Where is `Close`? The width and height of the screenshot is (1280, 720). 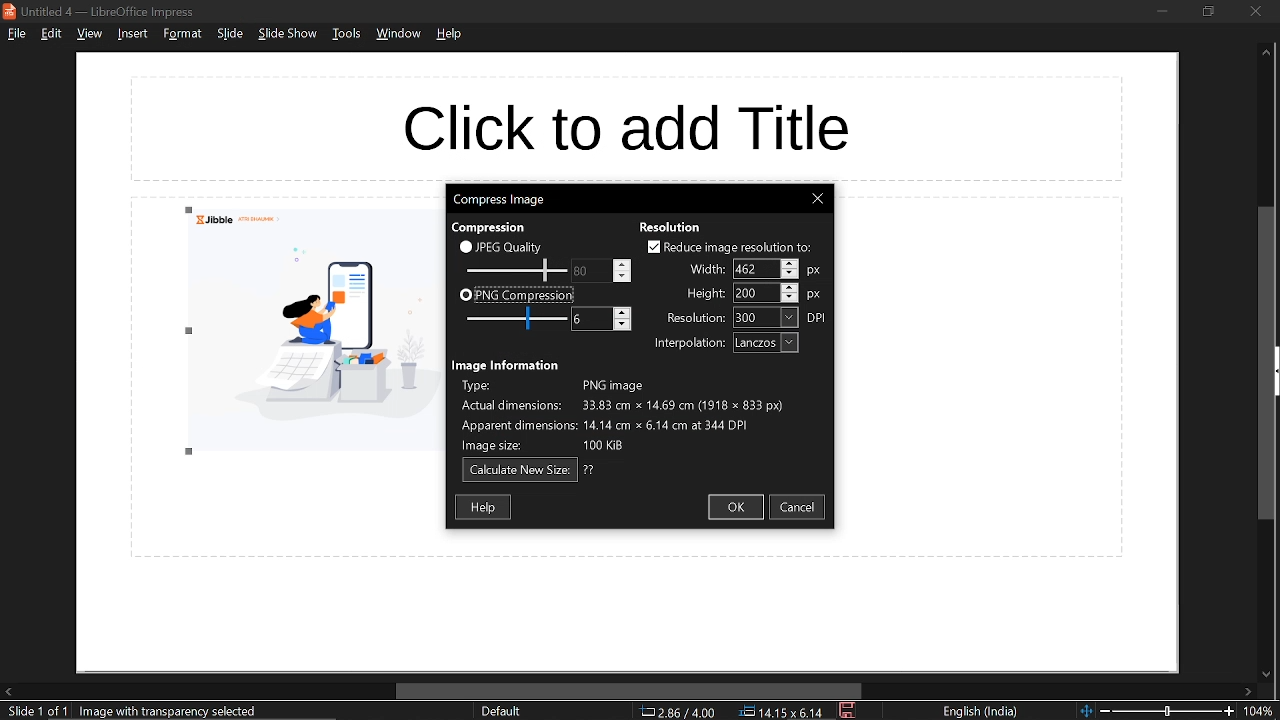
Close is located at coordinates (817, 199).